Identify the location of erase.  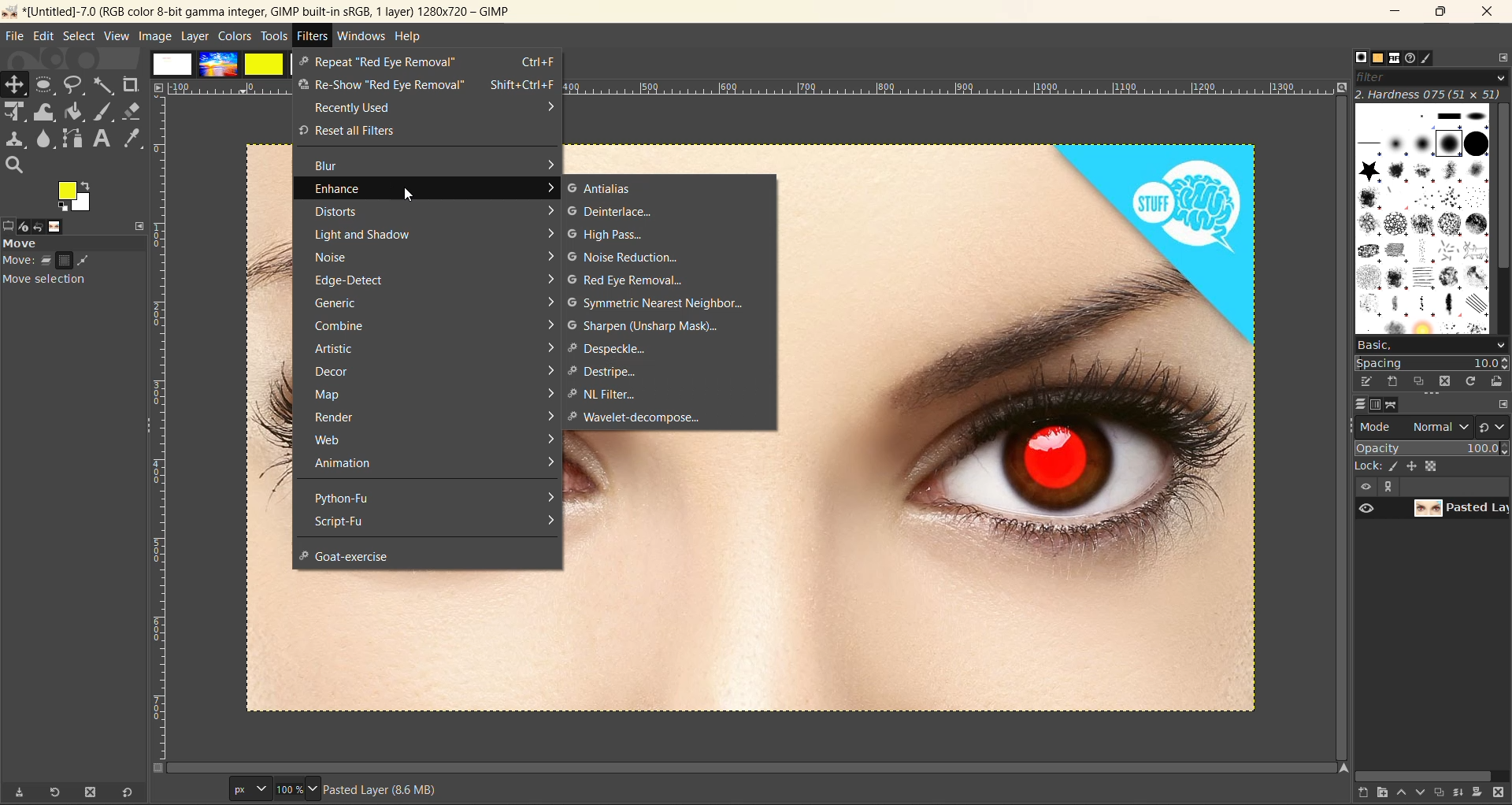
(133, 111).